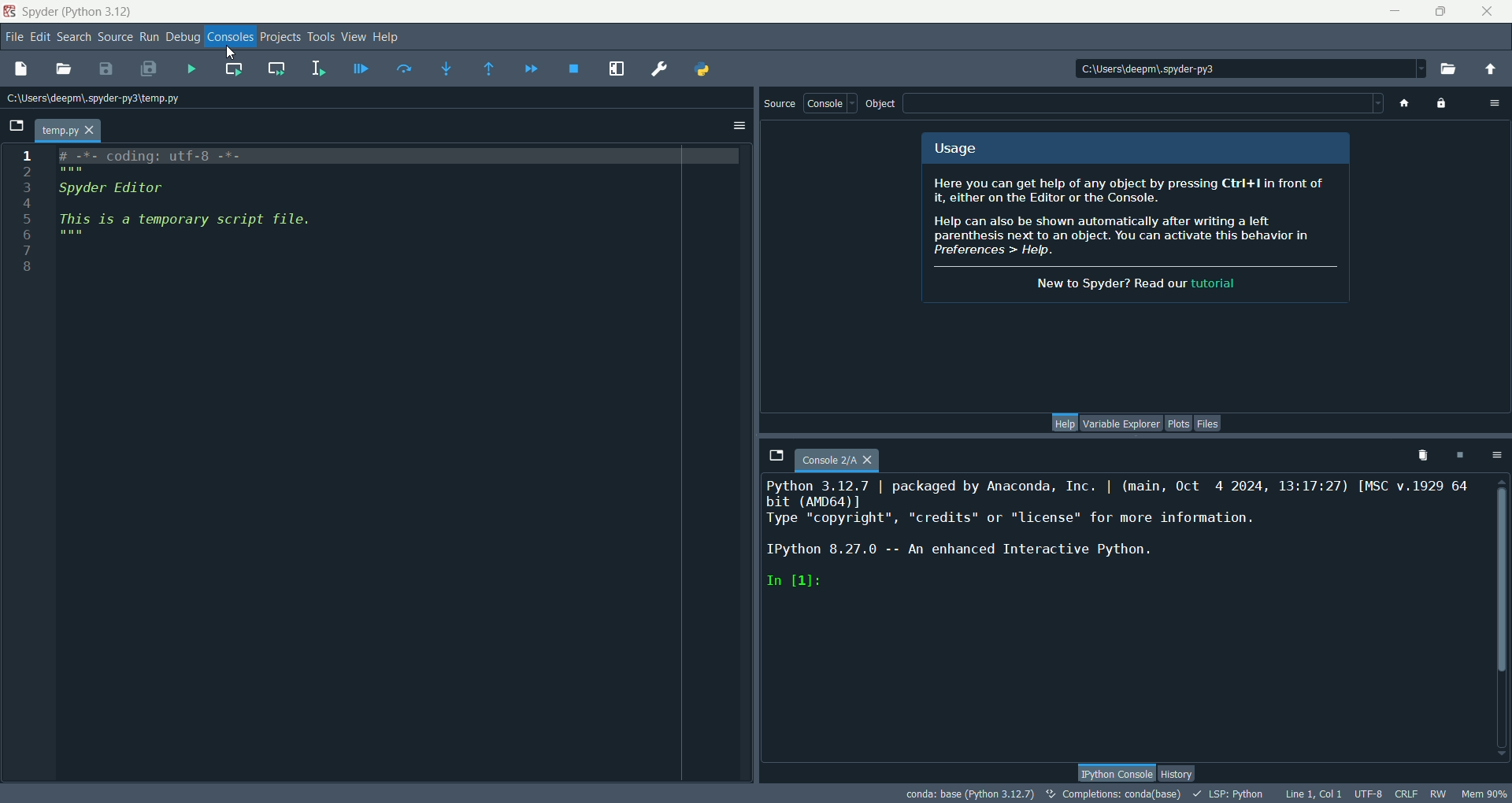 This screenshot has width=1512, height=803. Describe the element at coordinates (191, 68) in the screenshot. I see `run file` at that location.